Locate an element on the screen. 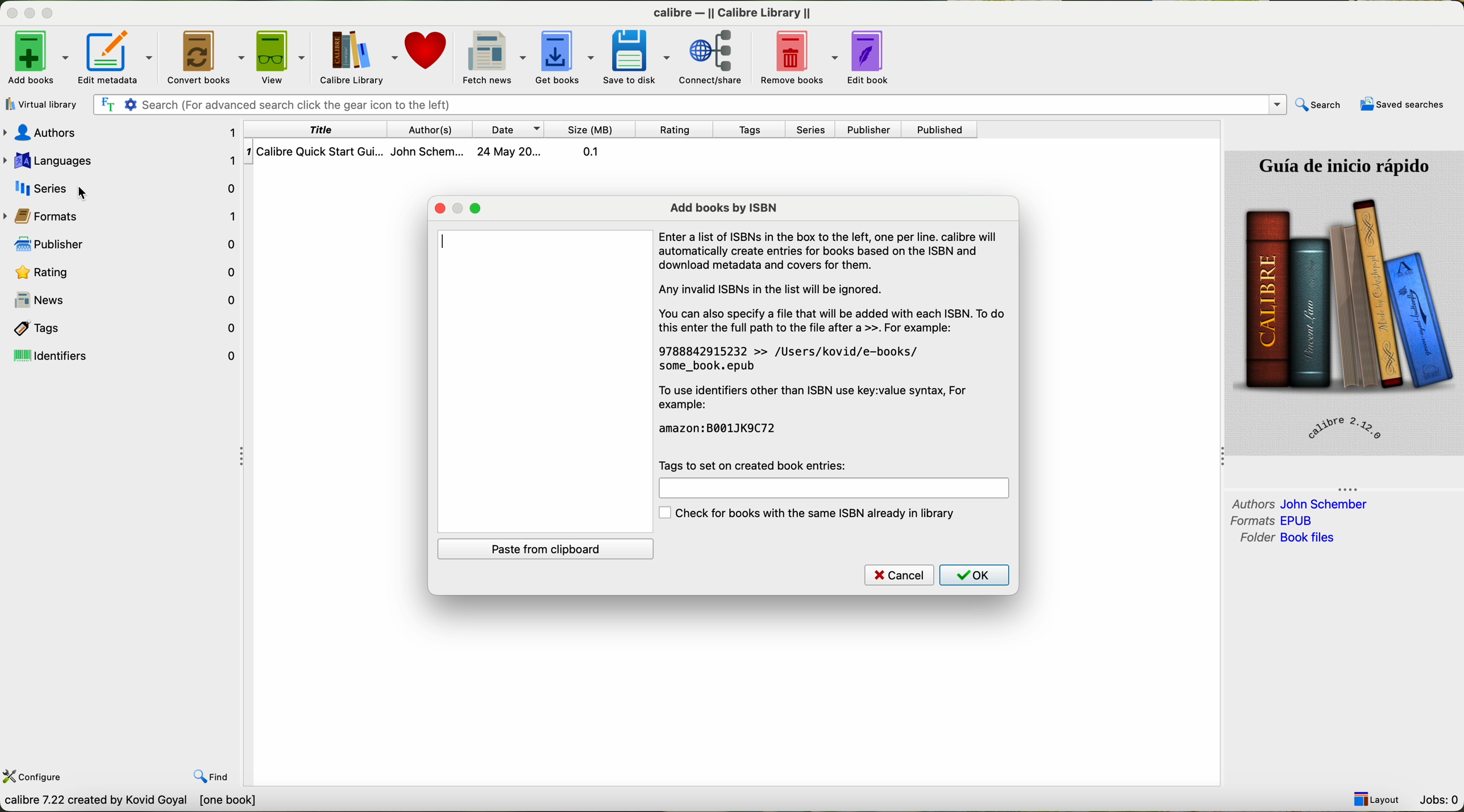 The image size is (1464, 812). check for books with the same ISBN is located at coordinates (818, 514).